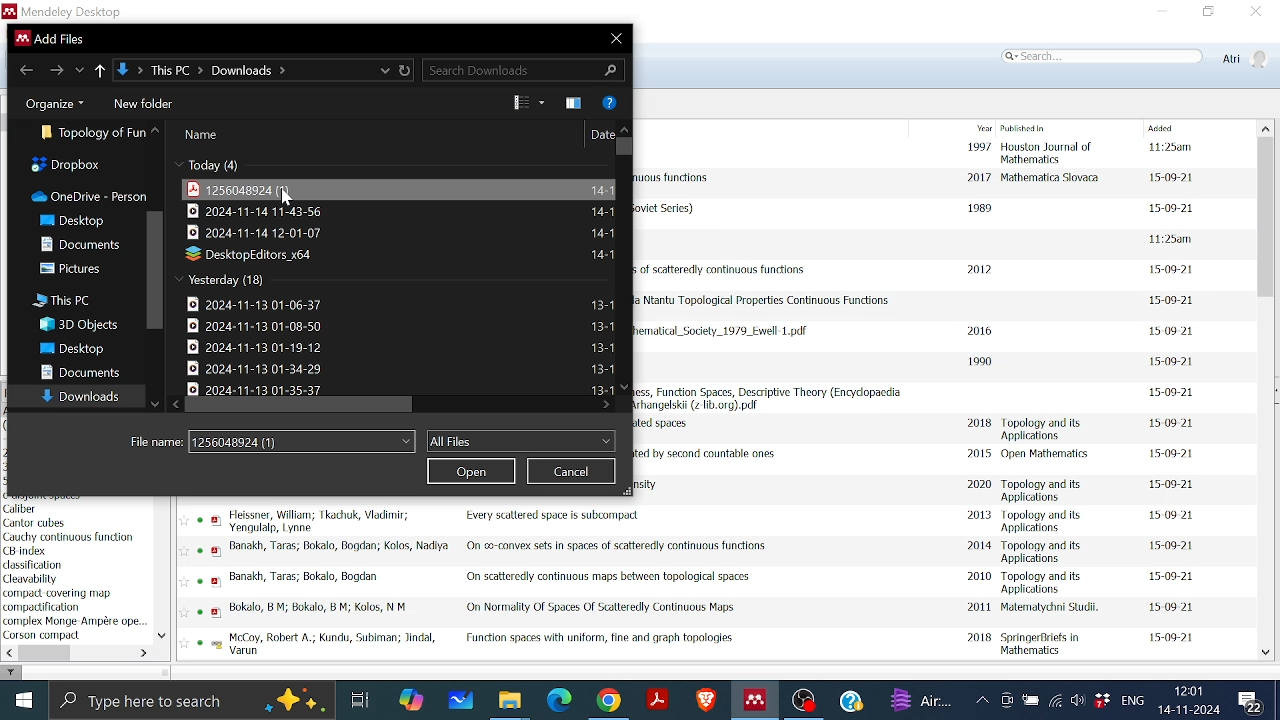  Describe the element at coordinates (460, 701) in the screenshot. I see `Whiteboard` at that location.